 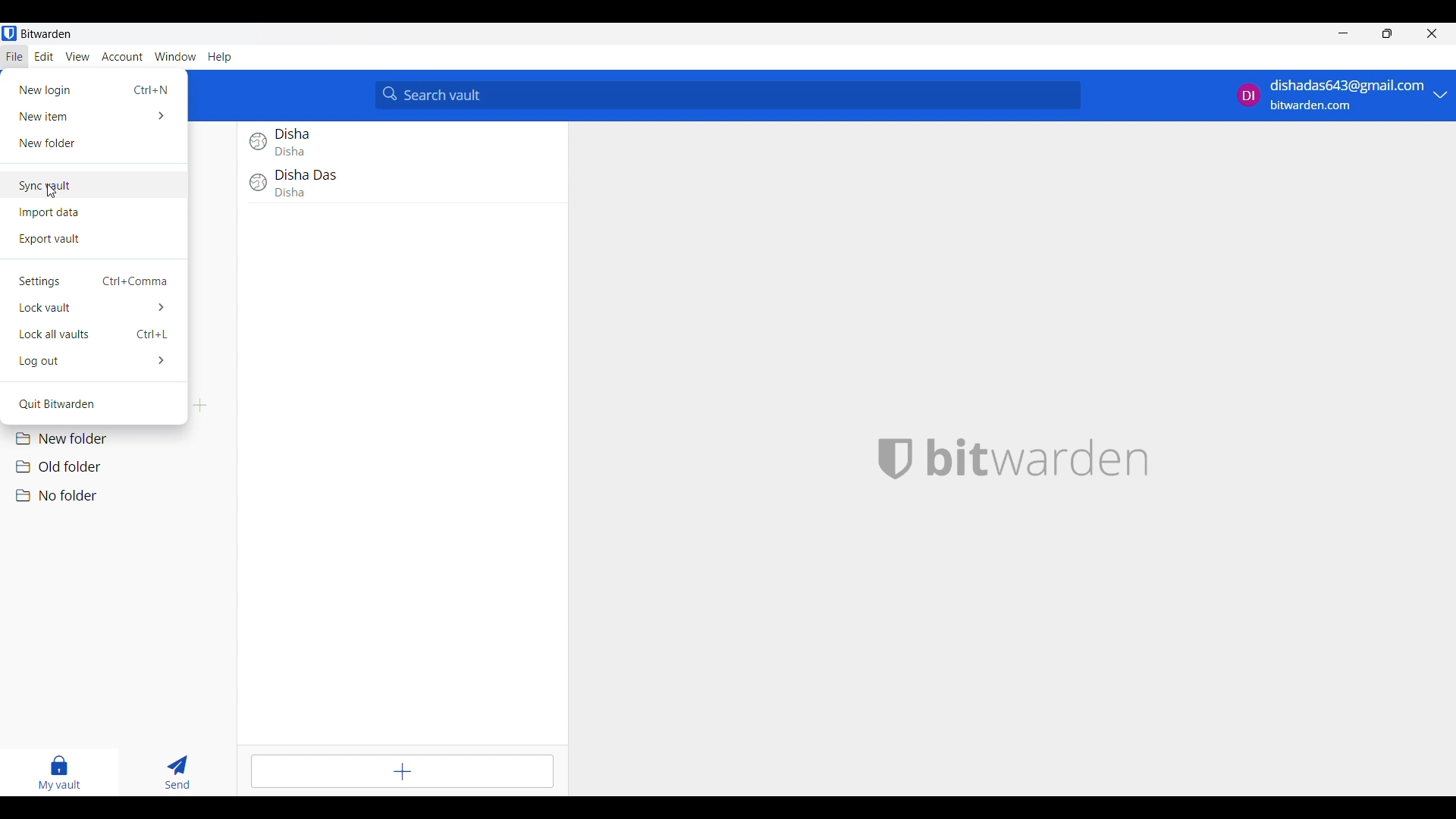 What do you see at coordinates (177, 772) in the screenshot?
I see `Send` at bounding box center [177, 772].